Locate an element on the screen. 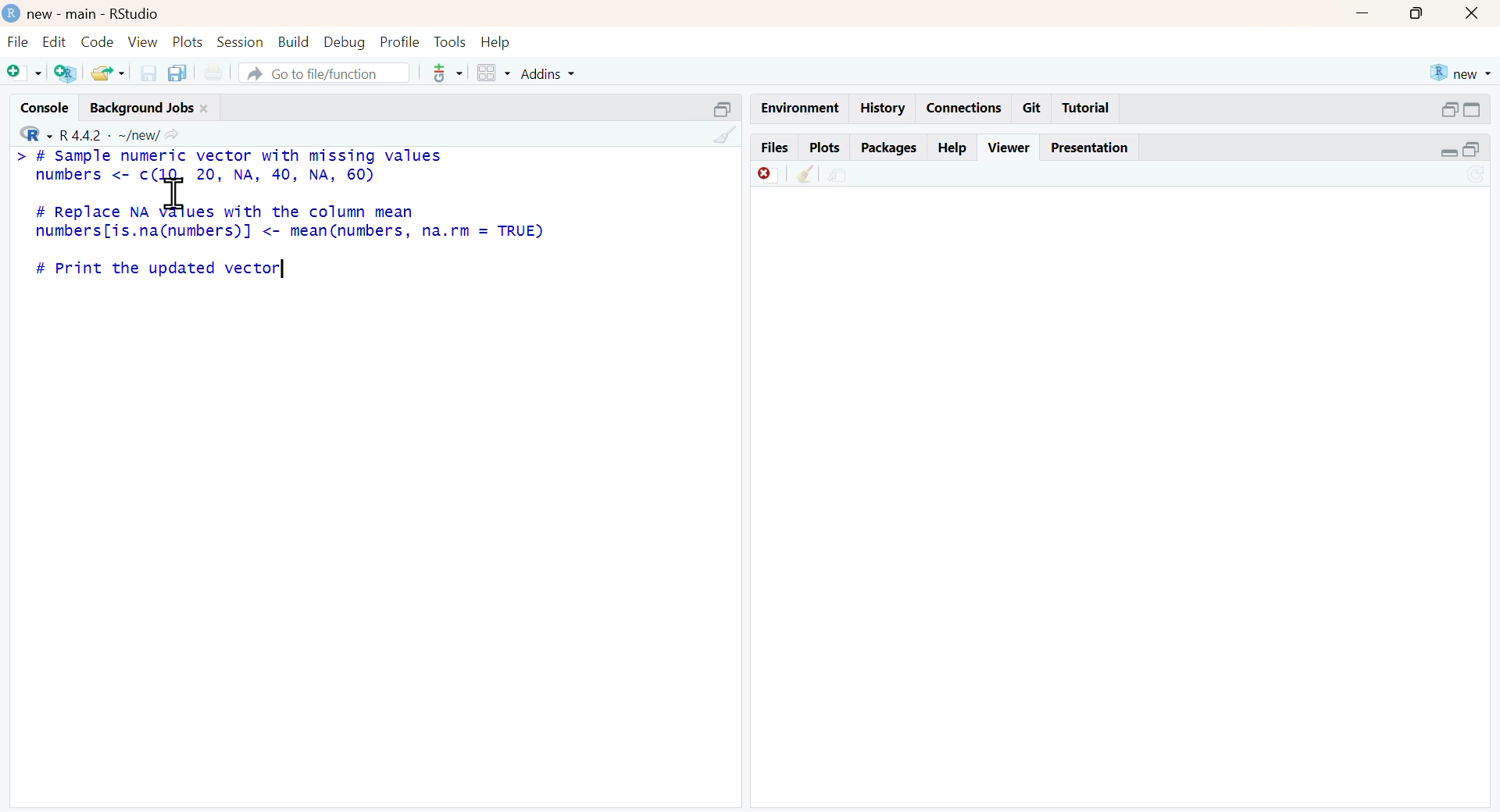 The image size is (1500, 812). > # Sample numeric vector with missing values numbers <- c(10, 20, NA, 40, NA, 60) is located at coordinates (228, 166).